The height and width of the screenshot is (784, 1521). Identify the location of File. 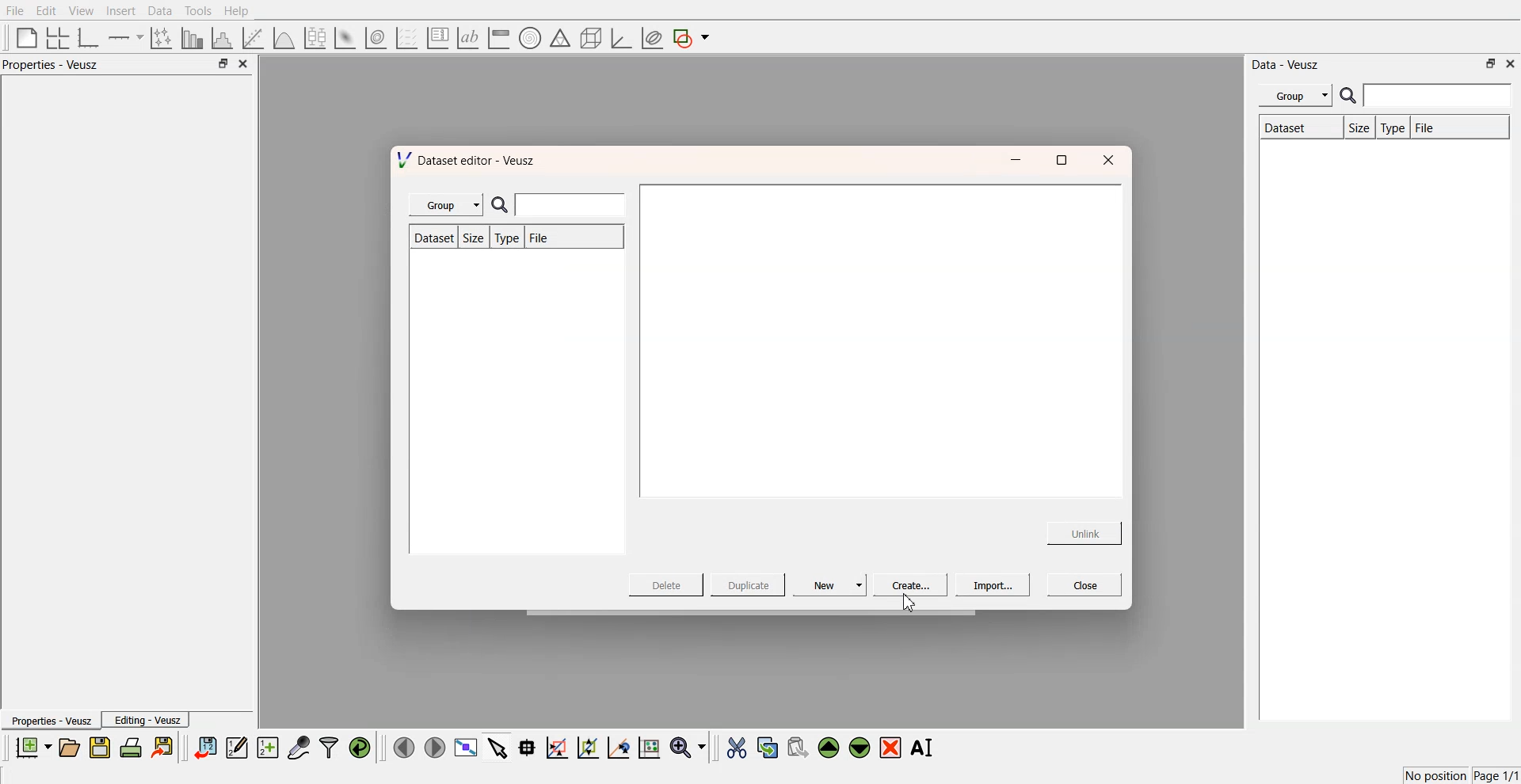
(16, 11).